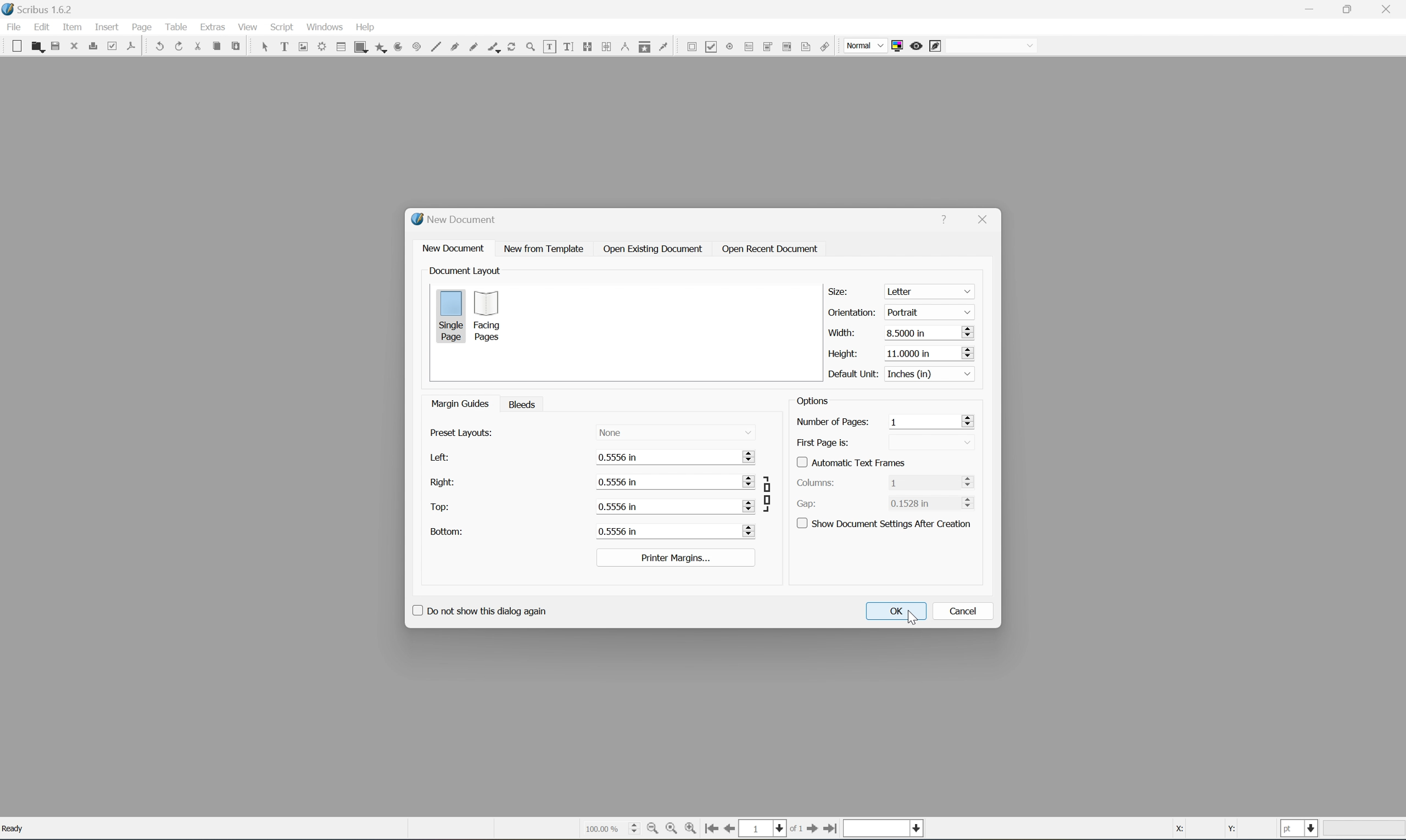  Describe the element at coordinates (930, 421) in the screenshot. I see `1` at that location.